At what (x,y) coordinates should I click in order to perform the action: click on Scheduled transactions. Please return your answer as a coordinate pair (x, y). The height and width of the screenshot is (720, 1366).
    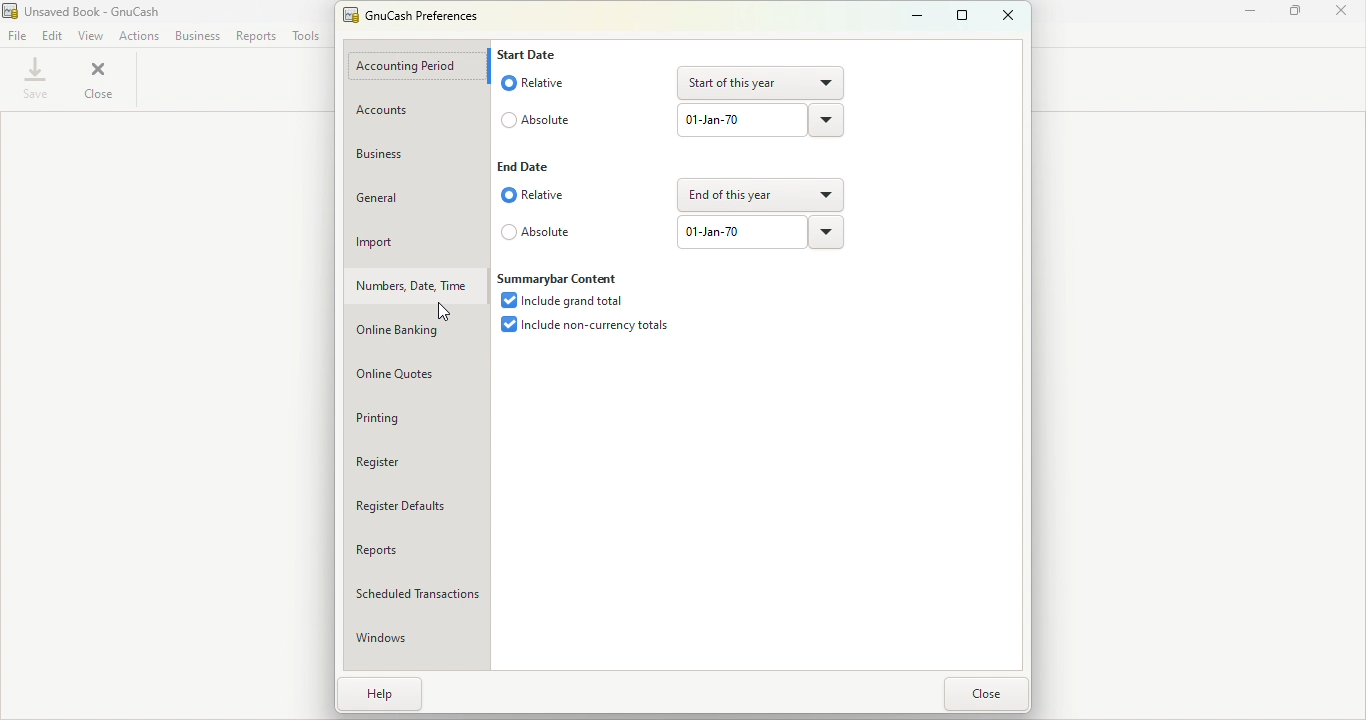
    Looking at the image, I should click on (420, 592).